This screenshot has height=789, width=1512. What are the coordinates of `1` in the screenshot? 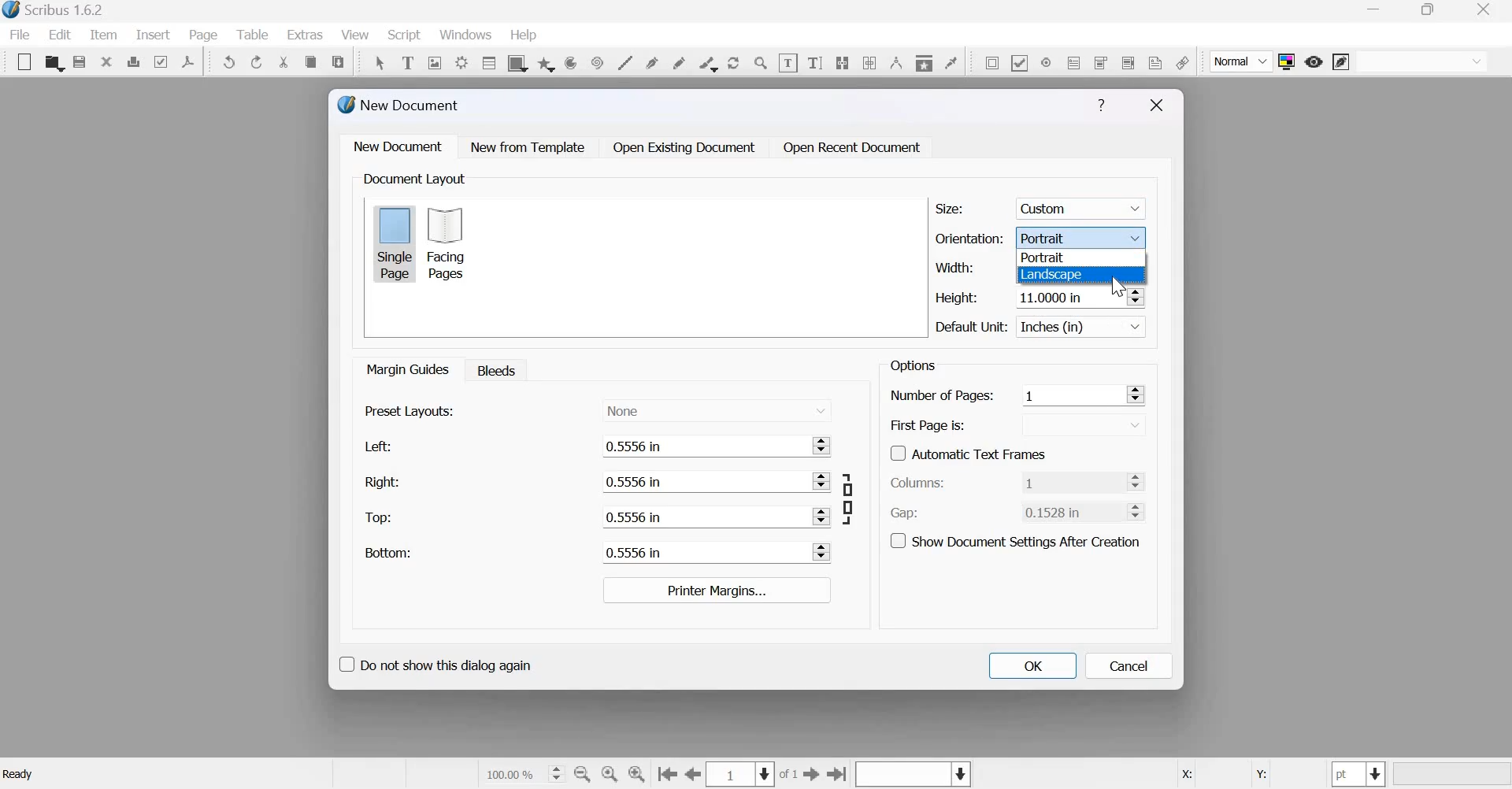 It's located at (1070, 394).